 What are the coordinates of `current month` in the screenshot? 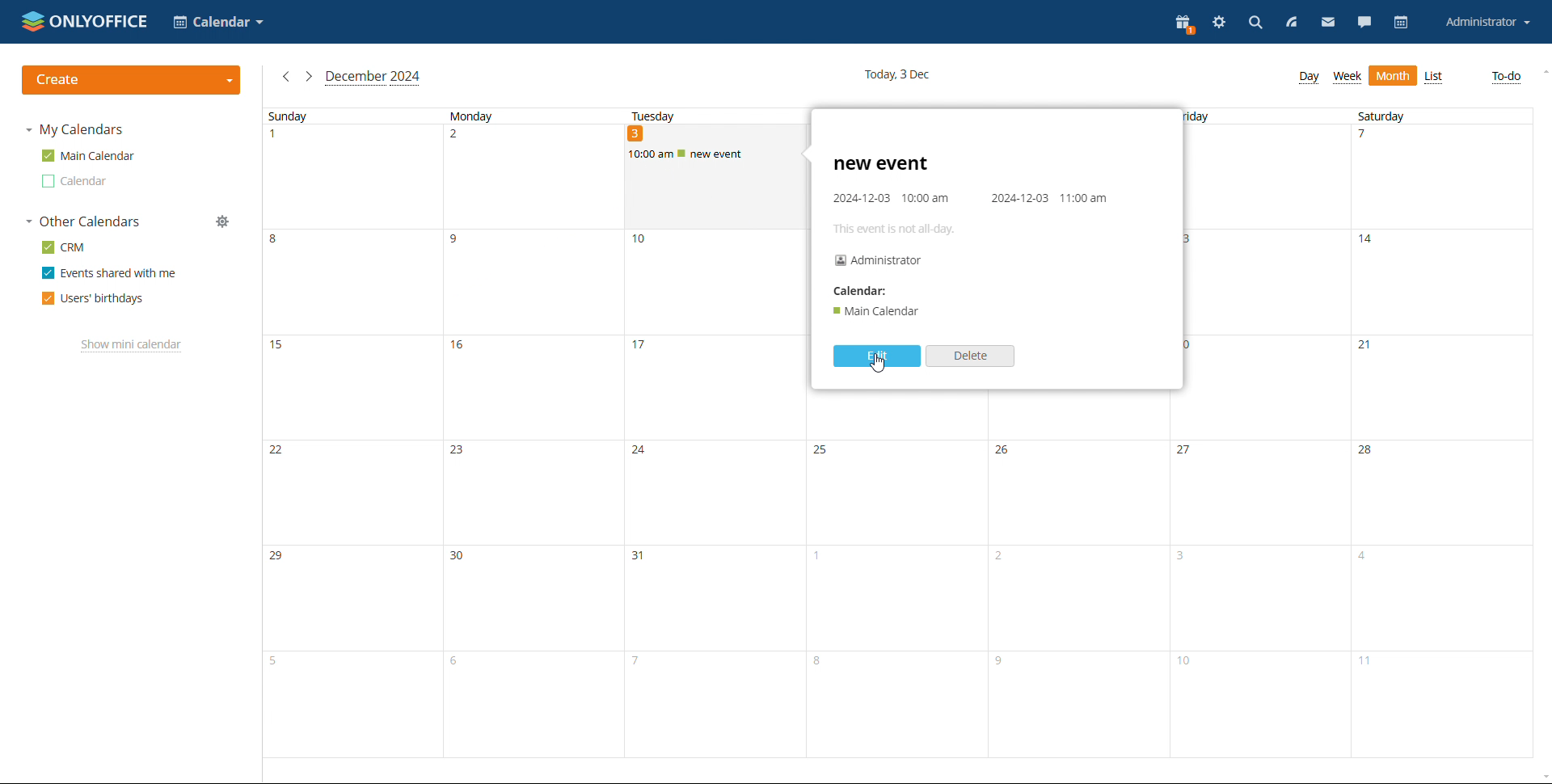 It's located at (373, 78).